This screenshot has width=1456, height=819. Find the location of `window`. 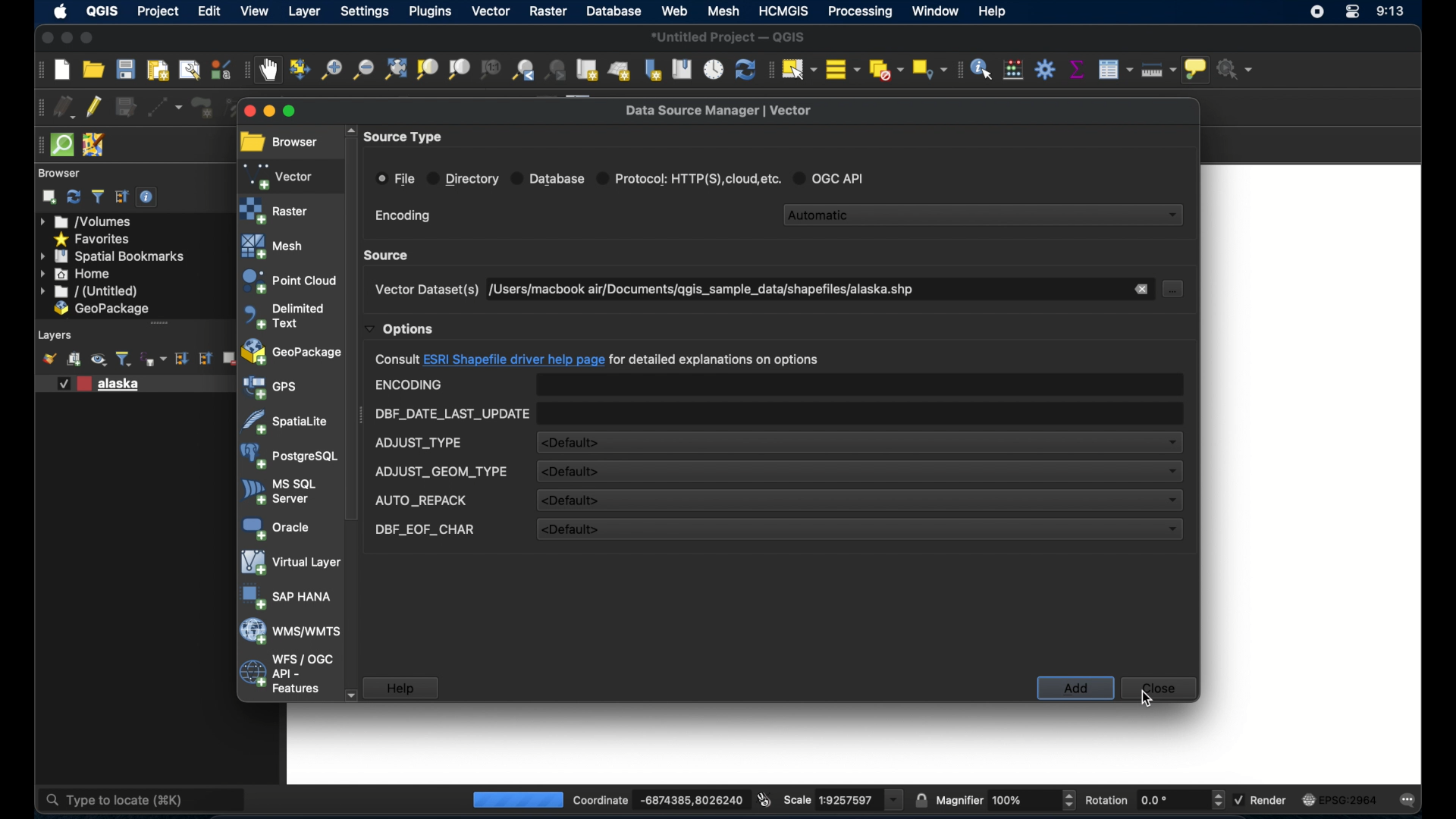

window is located at coordinates (935, 13).